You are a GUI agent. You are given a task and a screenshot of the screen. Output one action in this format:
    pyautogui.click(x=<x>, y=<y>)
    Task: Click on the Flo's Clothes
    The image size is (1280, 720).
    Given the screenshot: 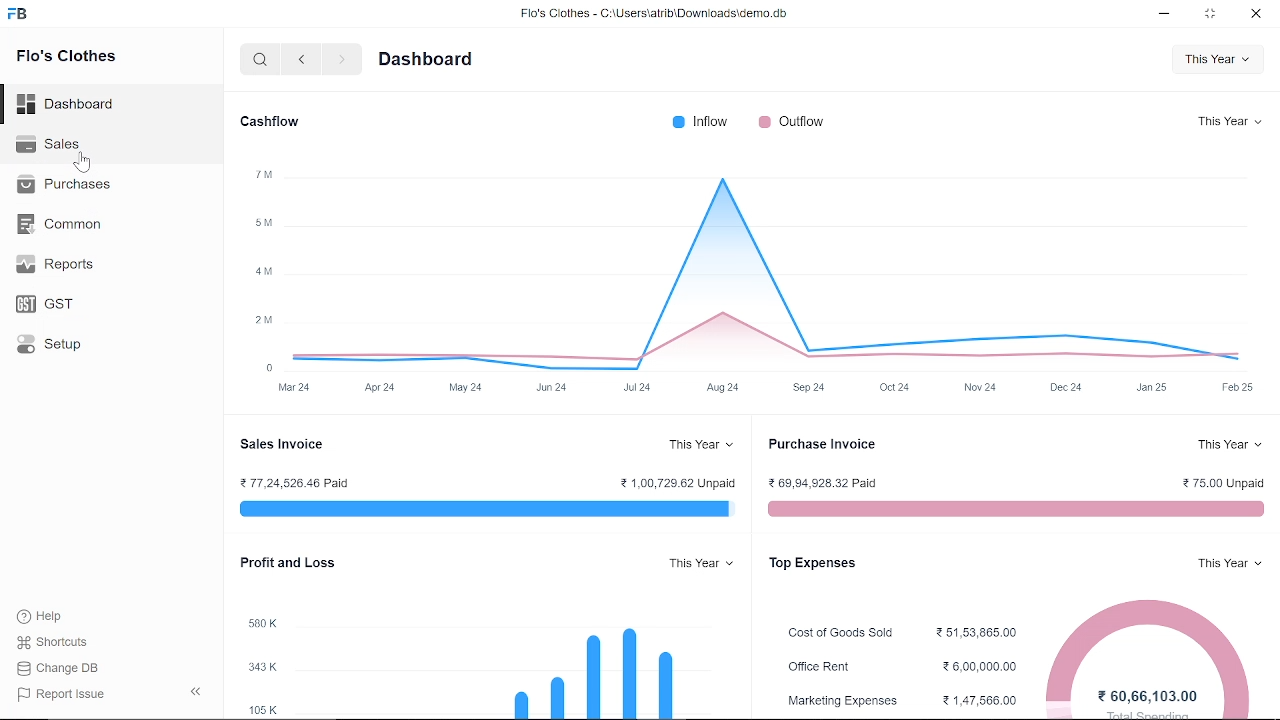 What is the action you would take?
    pyautogui.click(x=66, y=58)
    